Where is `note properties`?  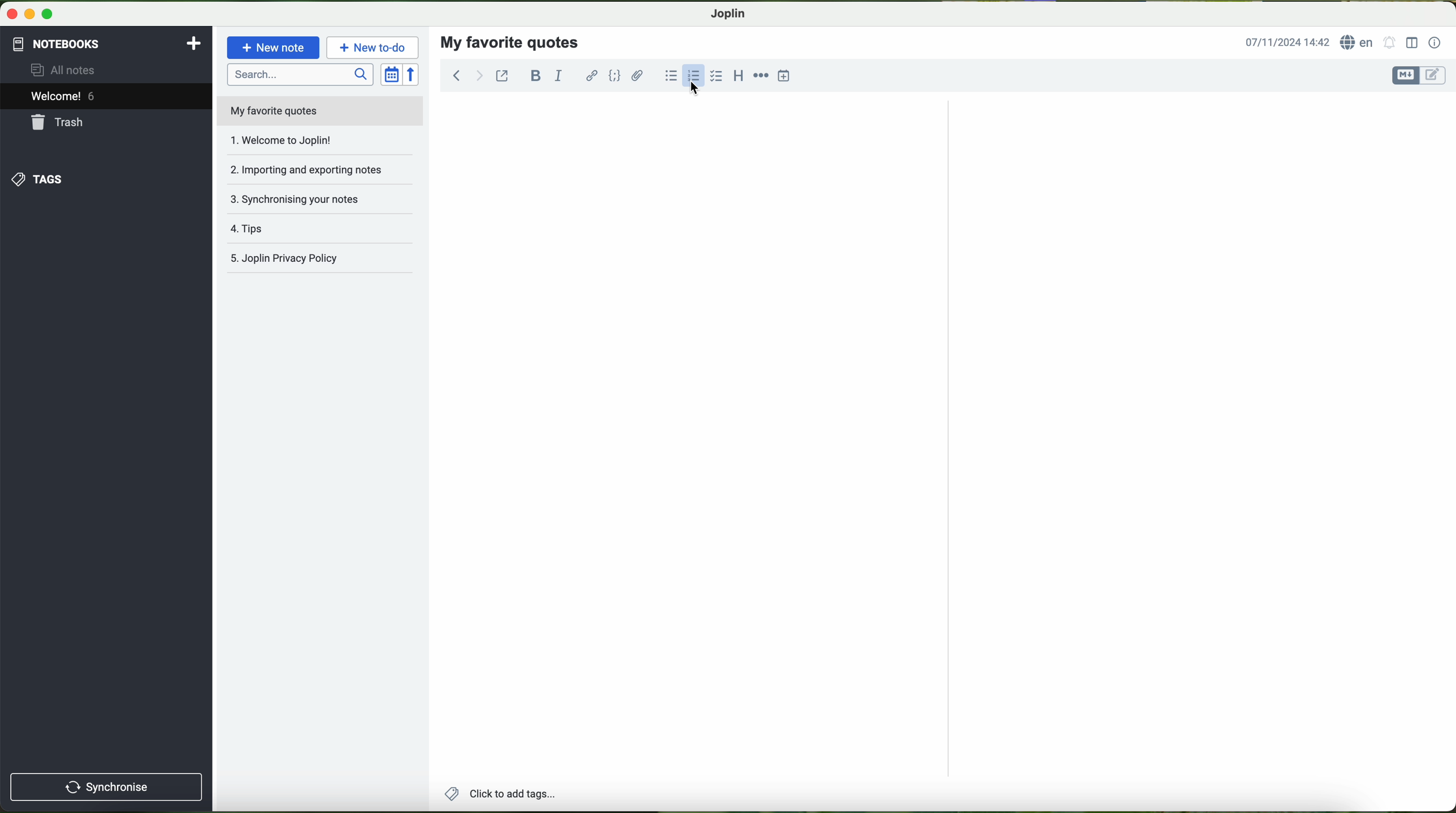
note properties is located at coordinates (1436, 42).